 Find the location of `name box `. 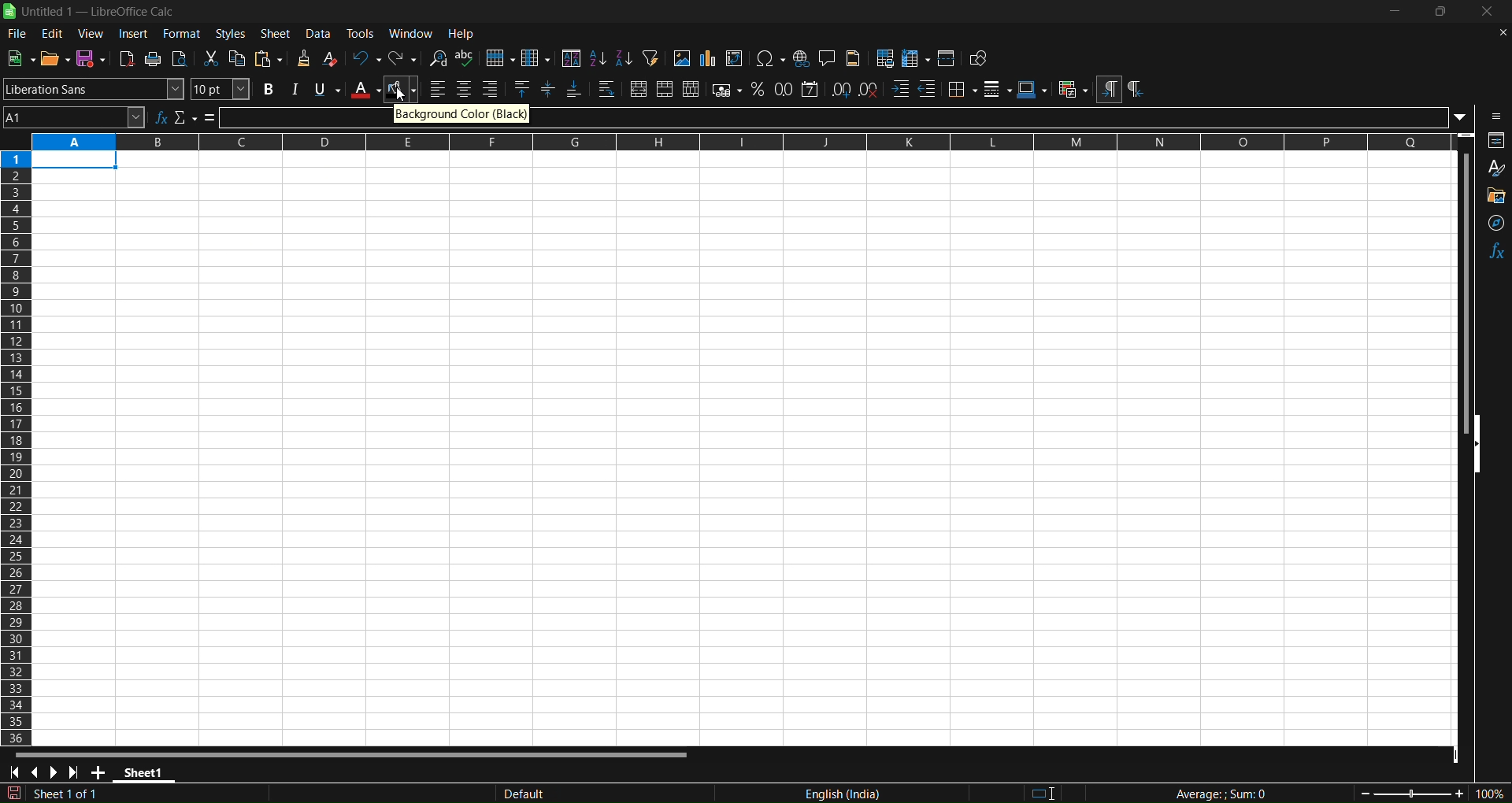

name box  is located at coordinates (75, 118).